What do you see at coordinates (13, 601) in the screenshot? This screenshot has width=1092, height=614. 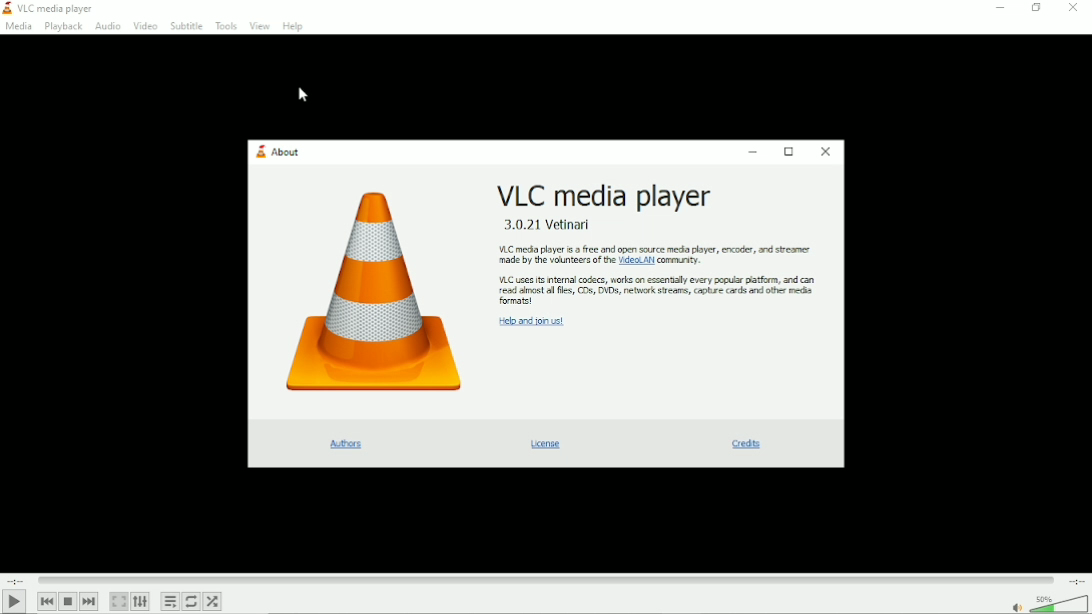 I see `Play` at bounding box center [13, 601].